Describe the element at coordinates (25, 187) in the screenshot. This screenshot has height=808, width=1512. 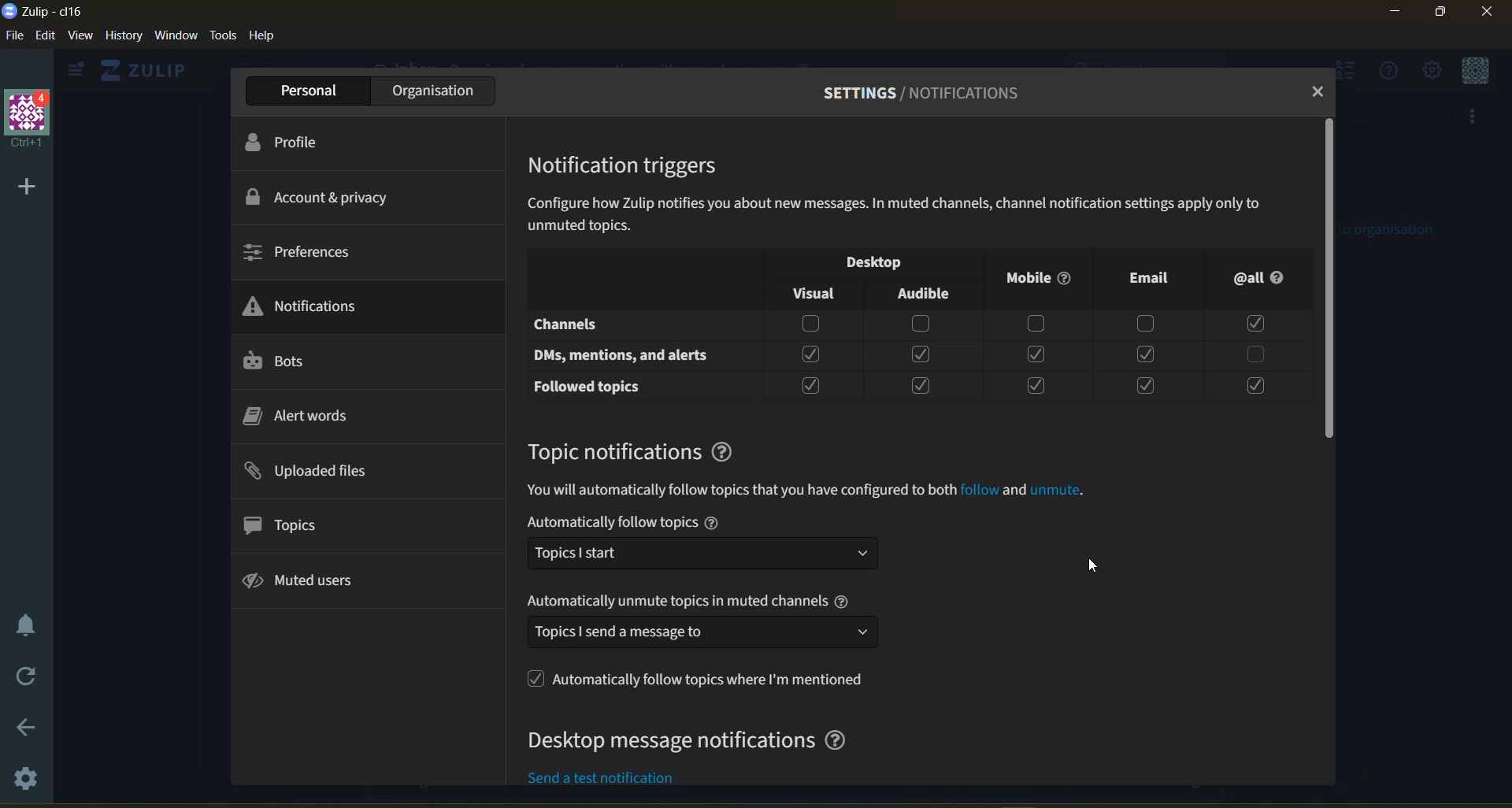
I see `add a new organisation` at that location.